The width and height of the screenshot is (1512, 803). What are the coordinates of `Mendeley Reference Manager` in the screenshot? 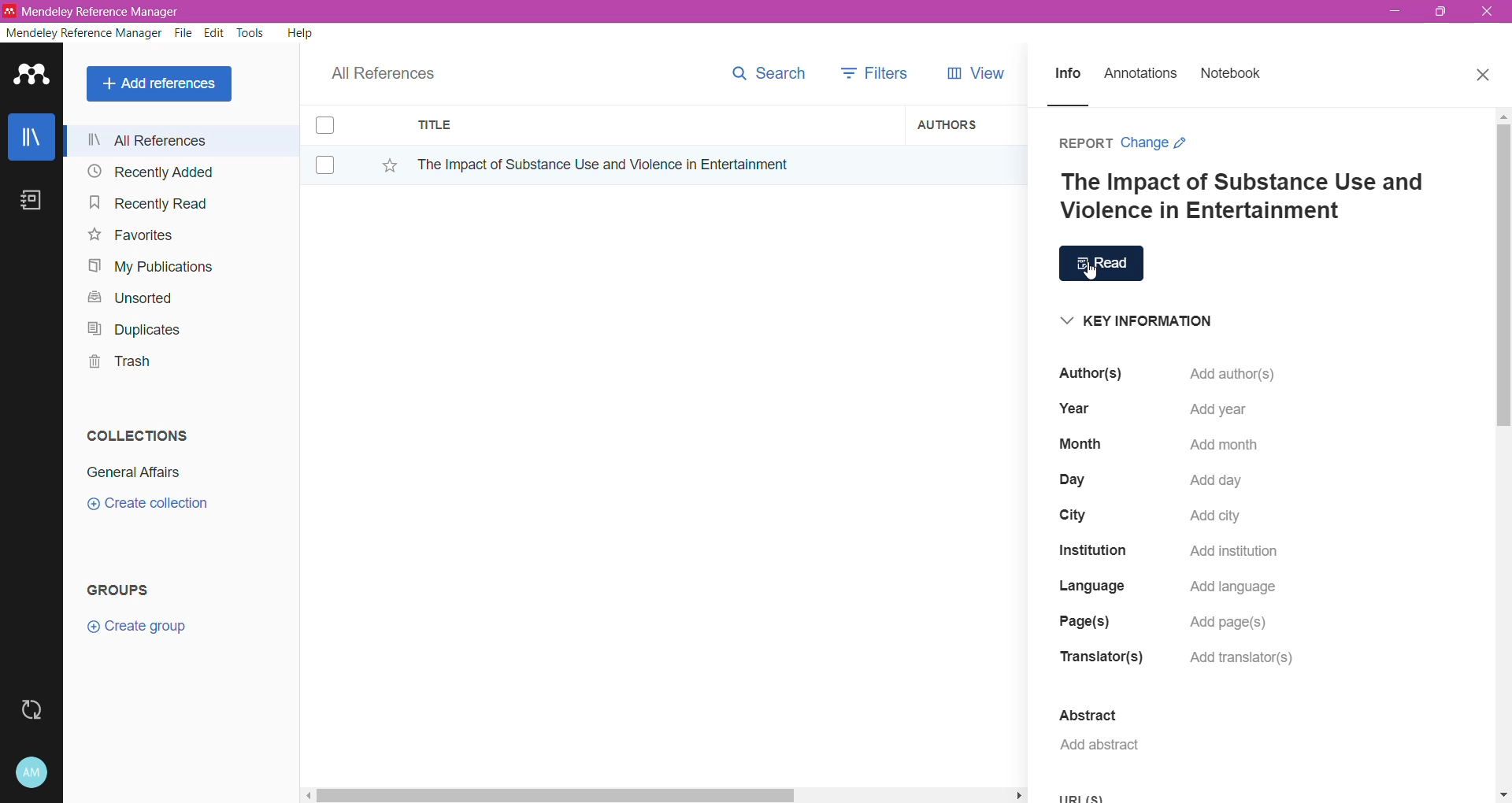 It's located at (85, 31).